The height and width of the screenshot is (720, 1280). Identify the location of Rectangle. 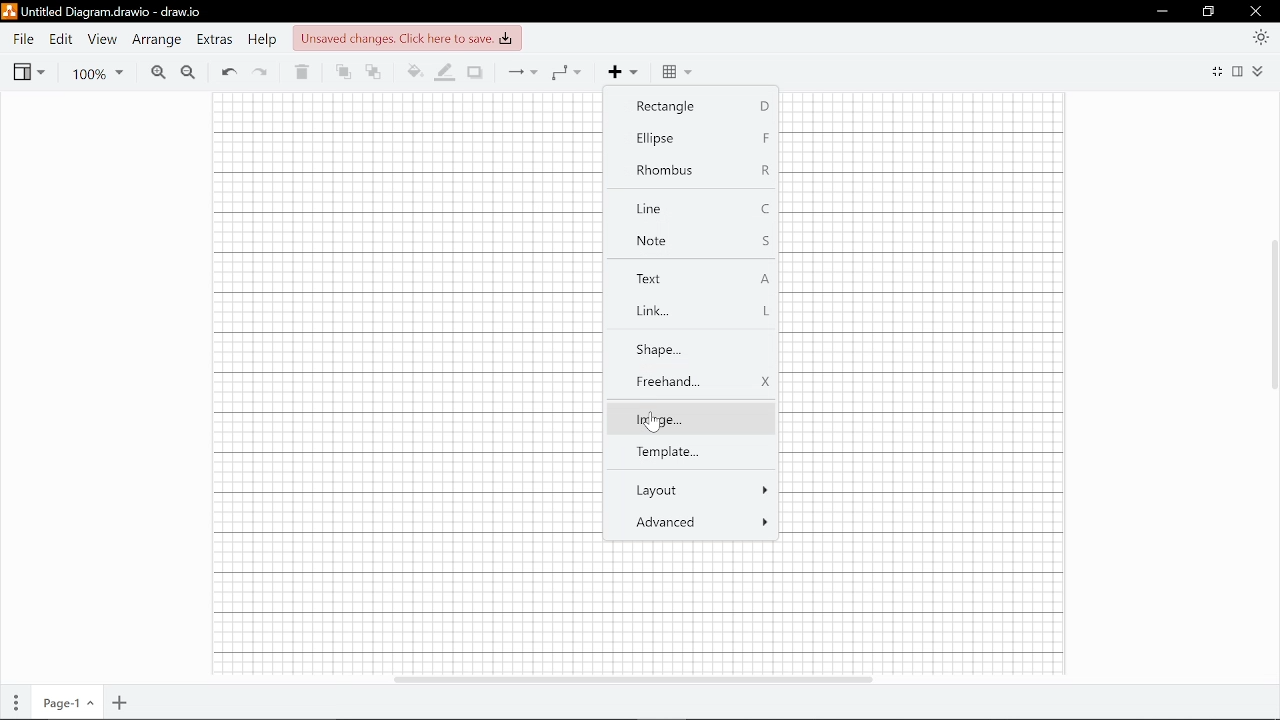
(696, 104).